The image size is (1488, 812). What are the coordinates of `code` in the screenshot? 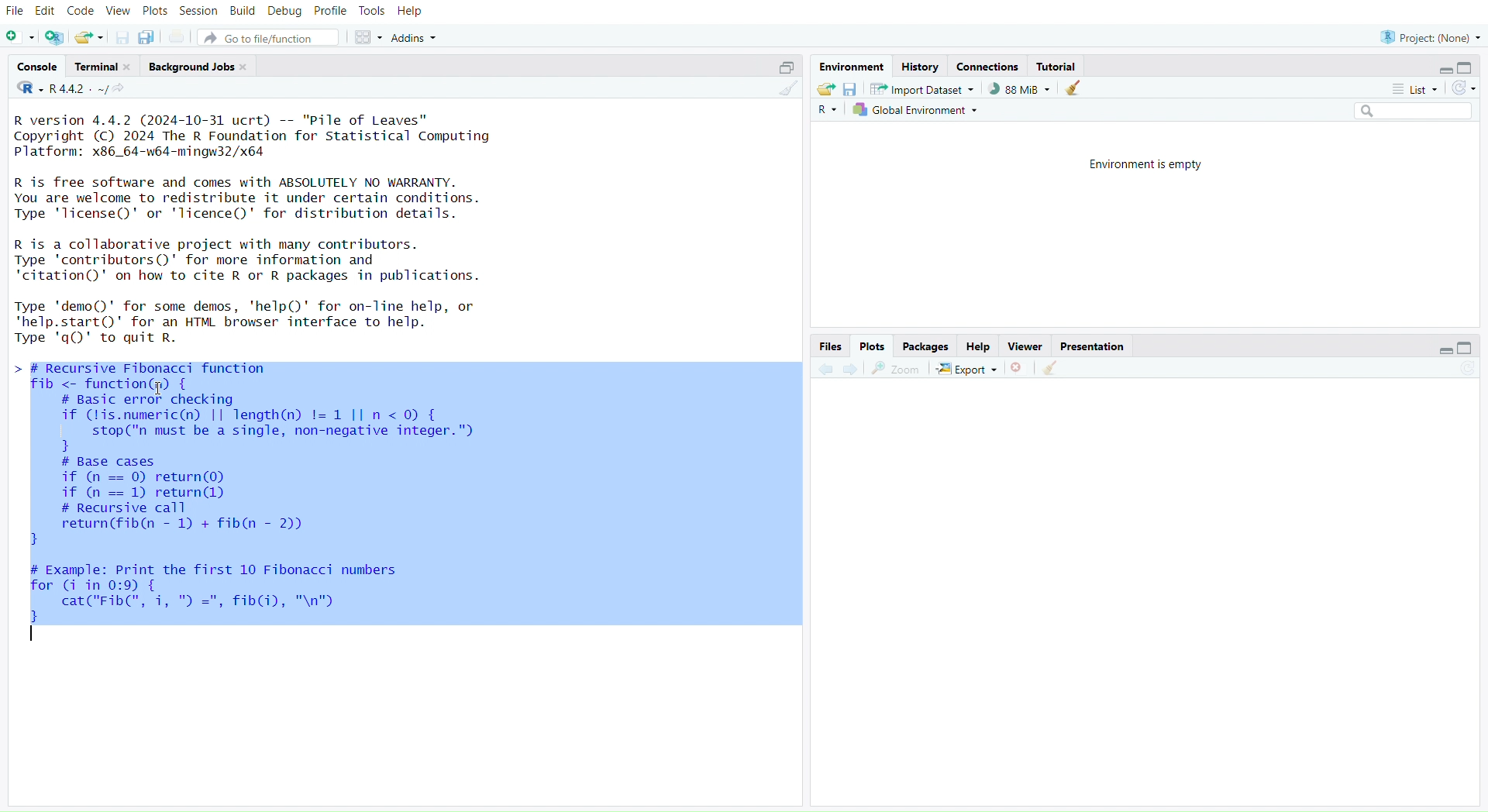 It's located at (81, 11).